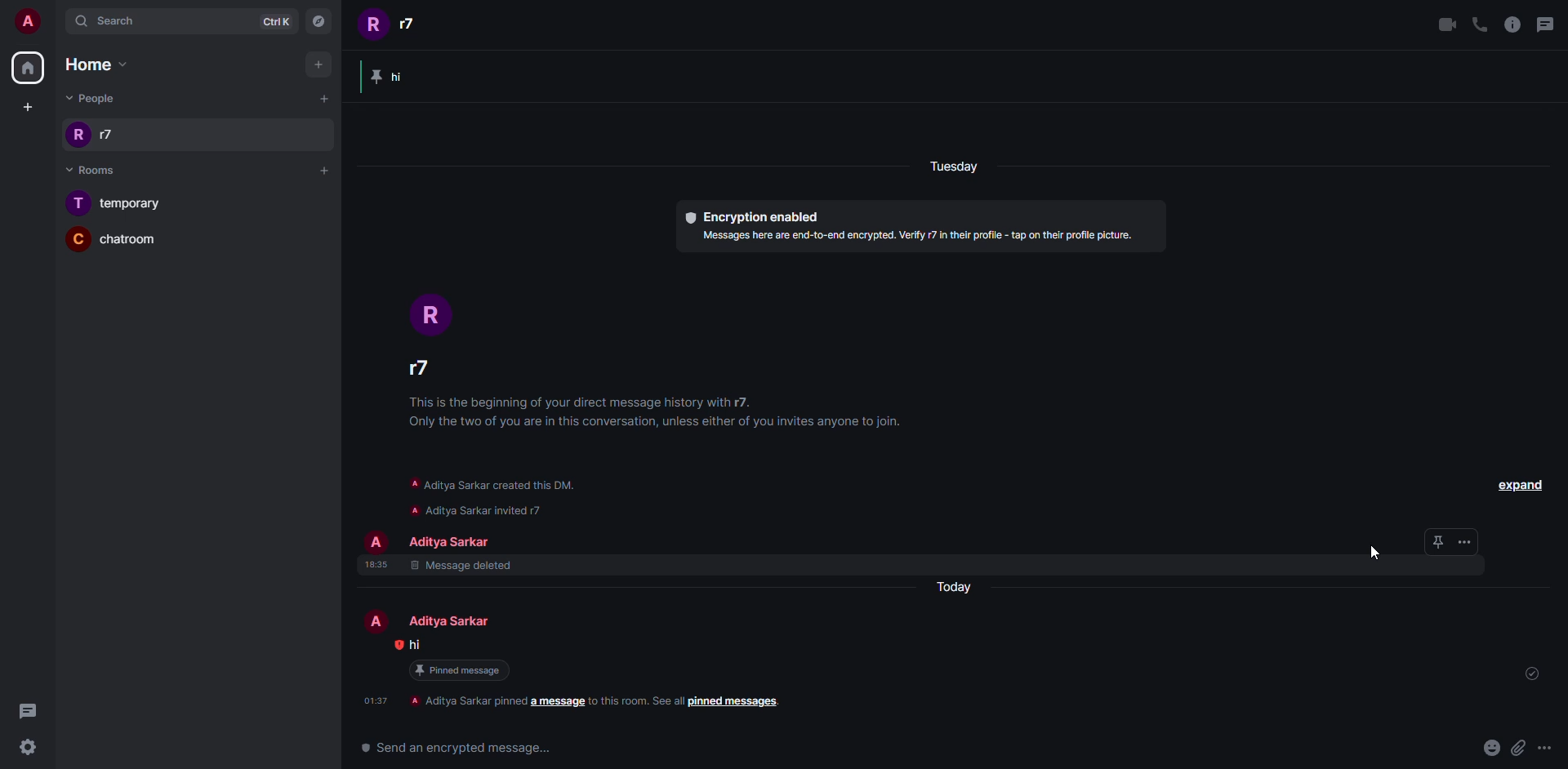 The image size is (1568, 769). What do you see at coordinates (394, 643) in the screenshot?
I see `time` at bounding box center [394, 643].